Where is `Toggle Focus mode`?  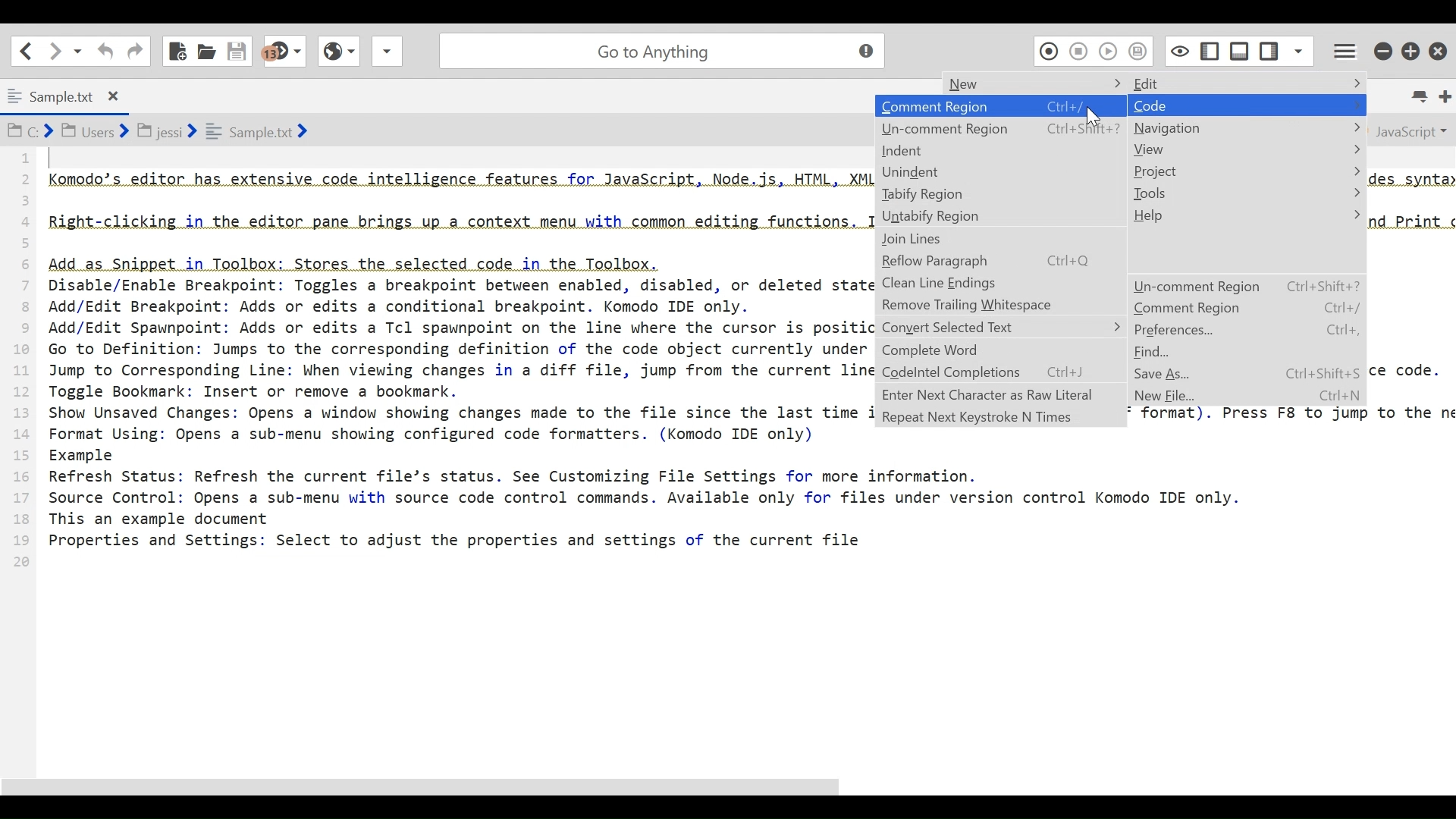 Toggle Focus mode is located at coordinates (1178, 50).